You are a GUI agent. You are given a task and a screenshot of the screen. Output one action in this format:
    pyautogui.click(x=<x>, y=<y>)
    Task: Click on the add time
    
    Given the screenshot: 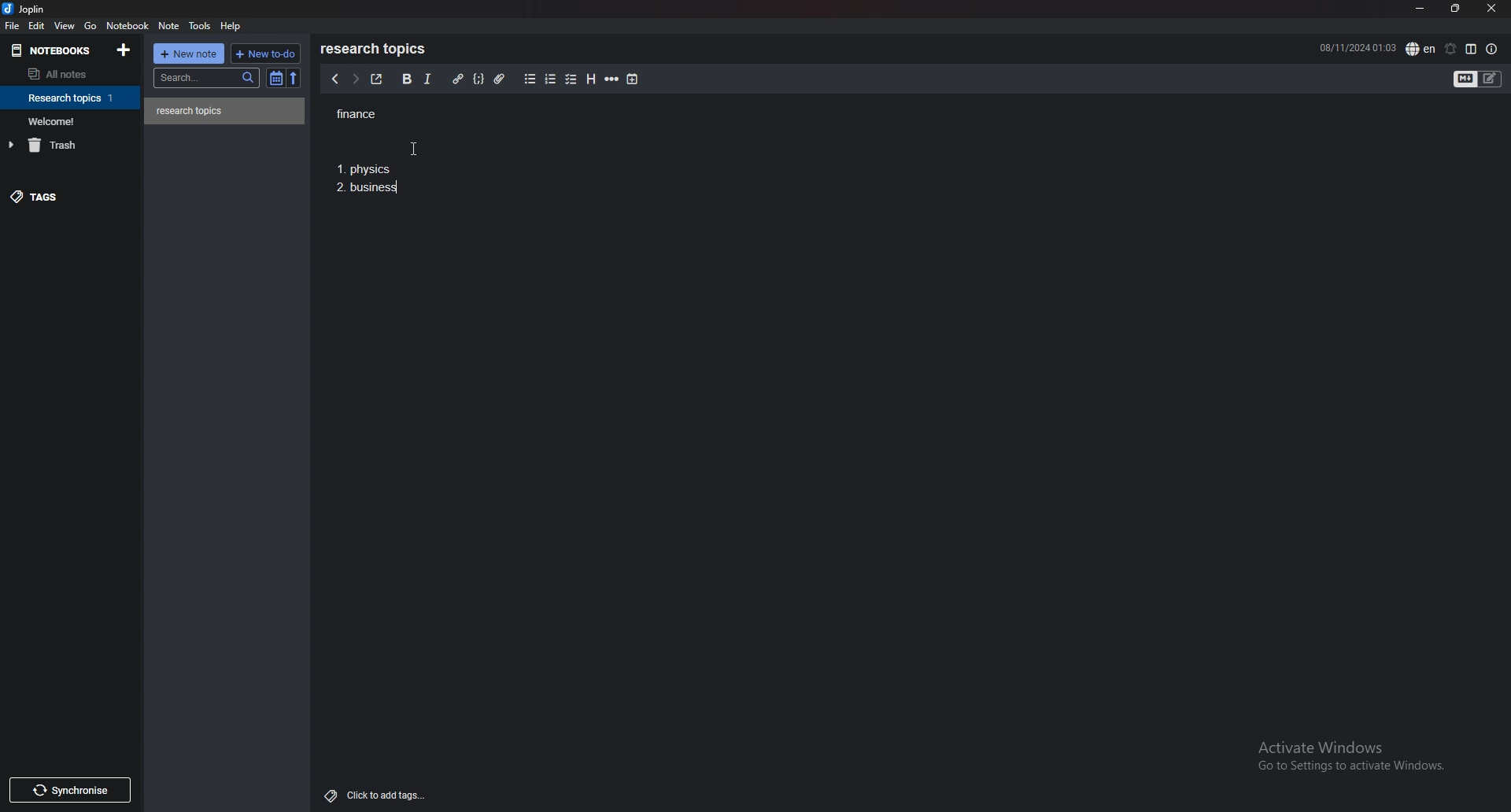 What is the action you would take?
    pyautogui.click(x=633, y=79)
    